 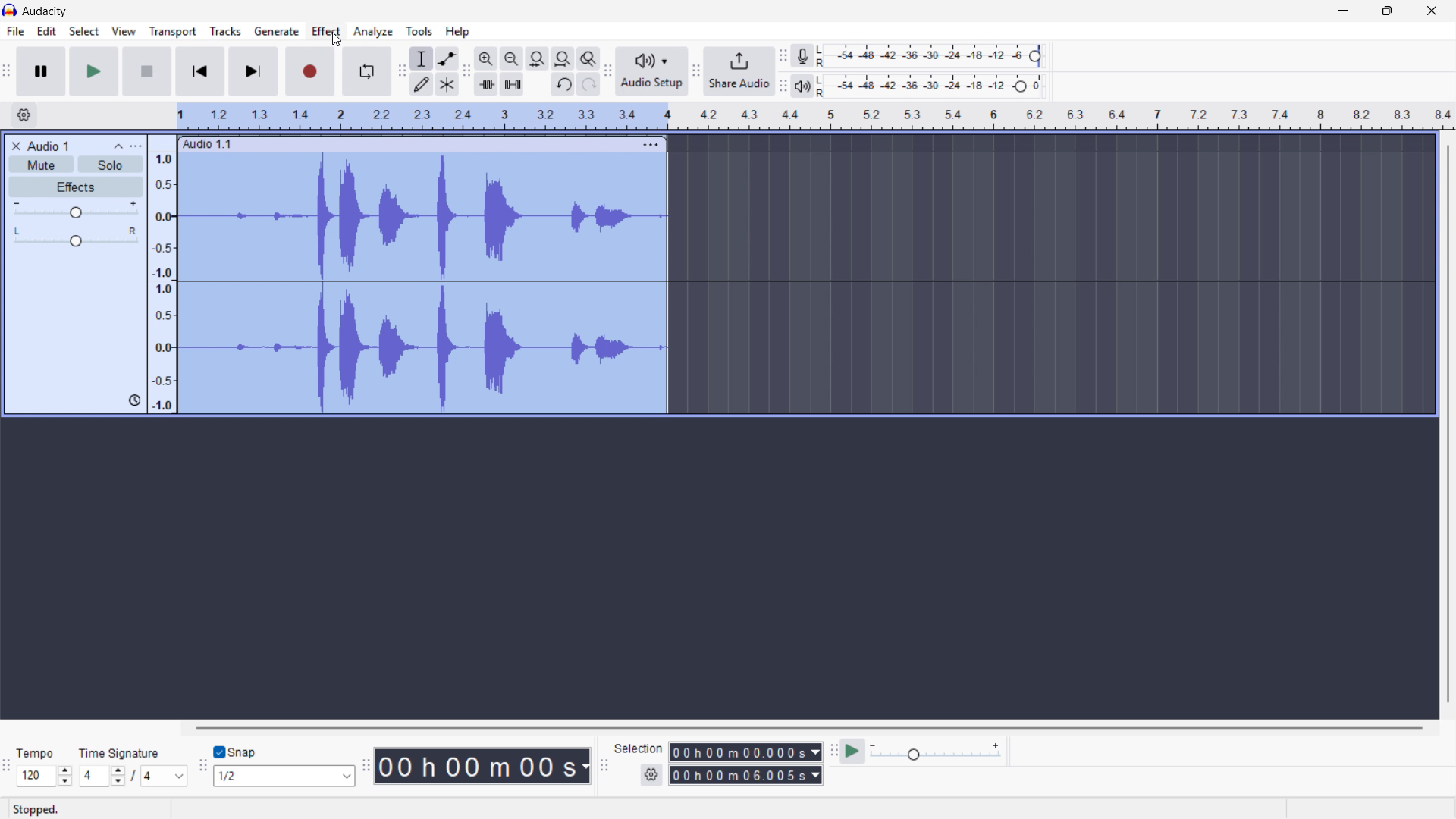 What do you see at coordinates (447, 85) in the screenshot?
I see `Multi tool` at bounding box center [447, 85].